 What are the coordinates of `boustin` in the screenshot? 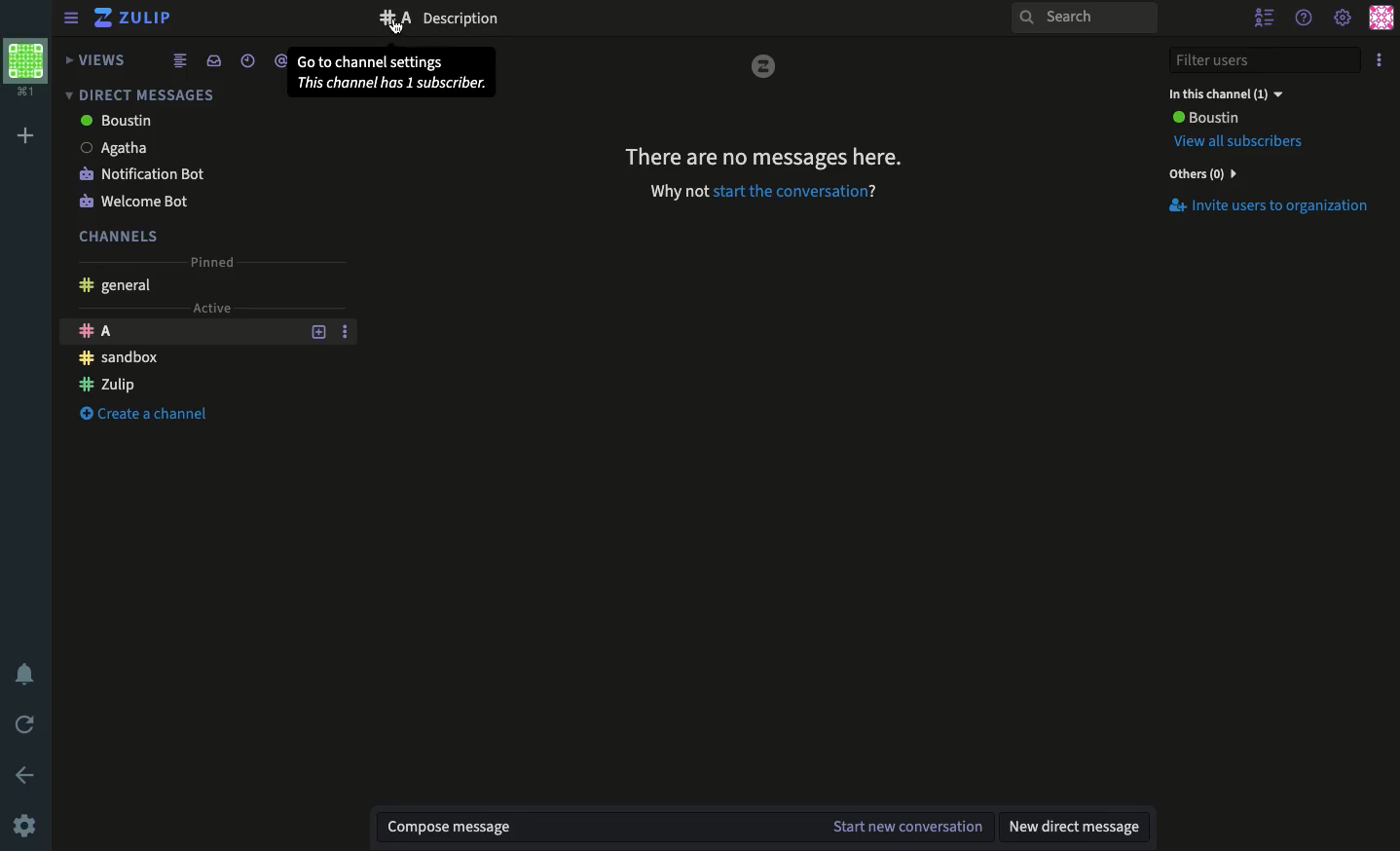 It's located at (119, 122).